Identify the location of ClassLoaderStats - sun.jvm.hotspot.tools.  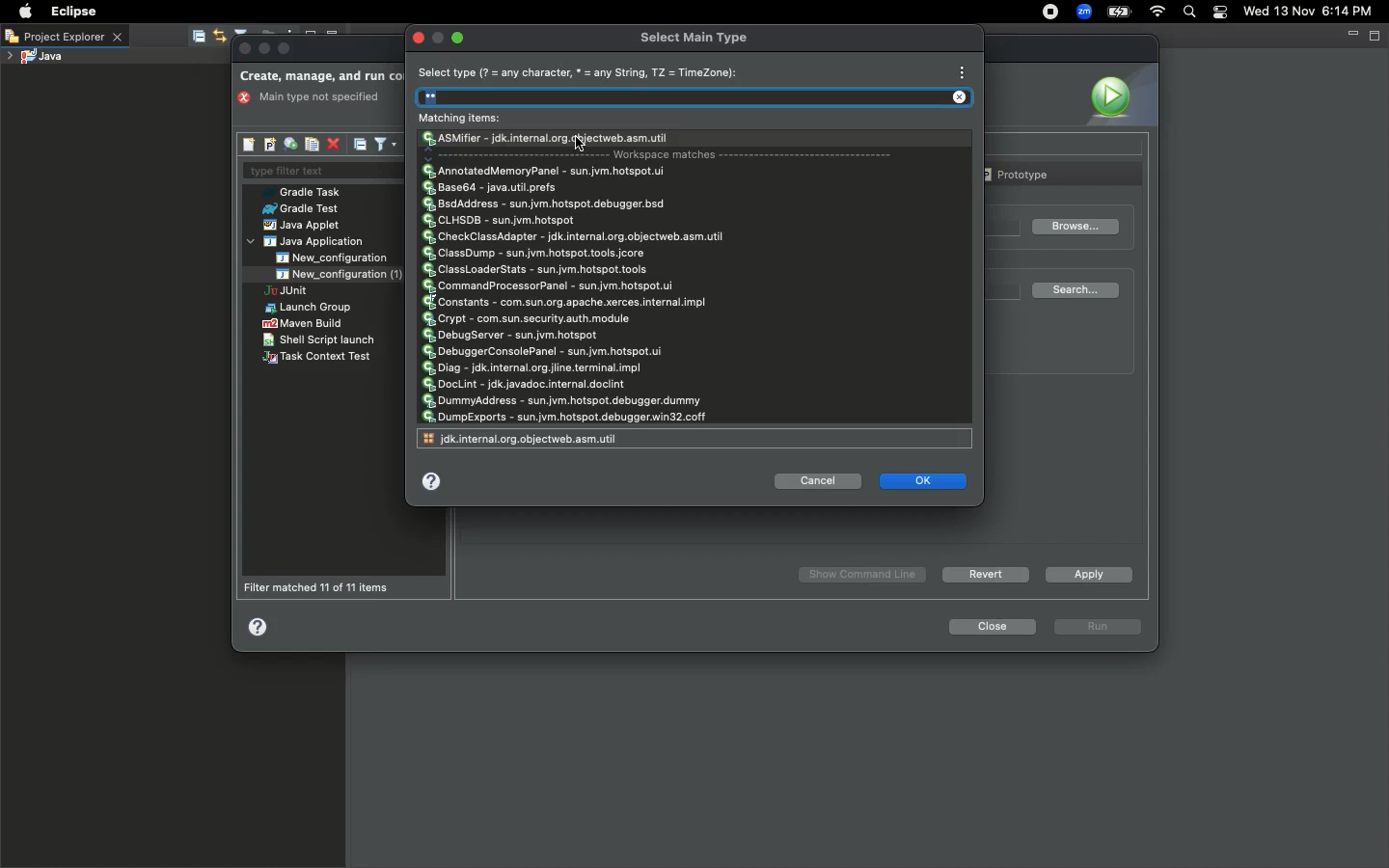
(537, 269).